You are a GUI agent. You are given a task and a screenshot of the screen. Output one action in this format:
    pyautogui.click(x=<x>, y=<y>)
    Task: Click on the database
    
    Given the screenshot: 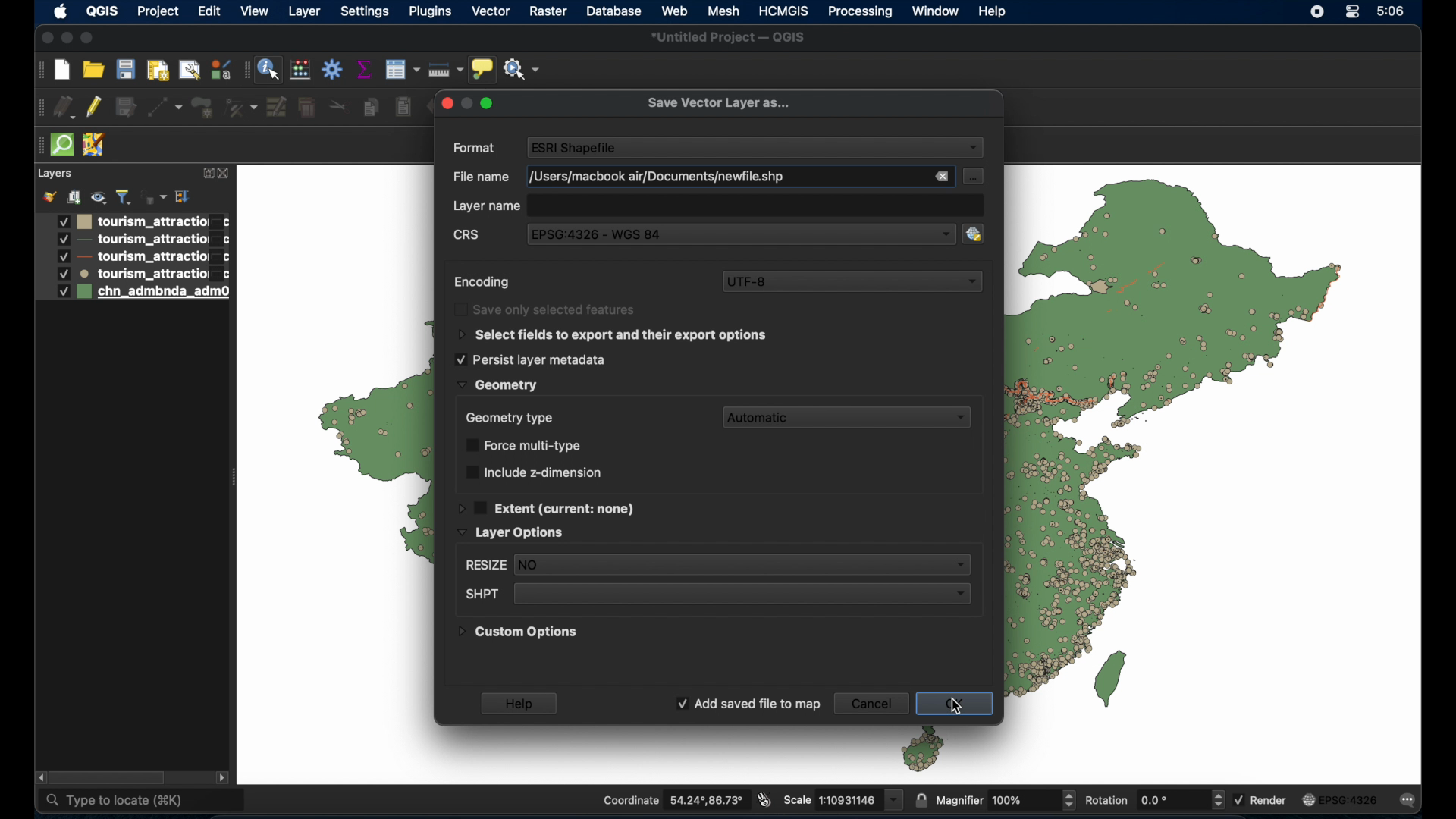 What is the action you would take?
    pyautogui.click(x=613, y=11)
    